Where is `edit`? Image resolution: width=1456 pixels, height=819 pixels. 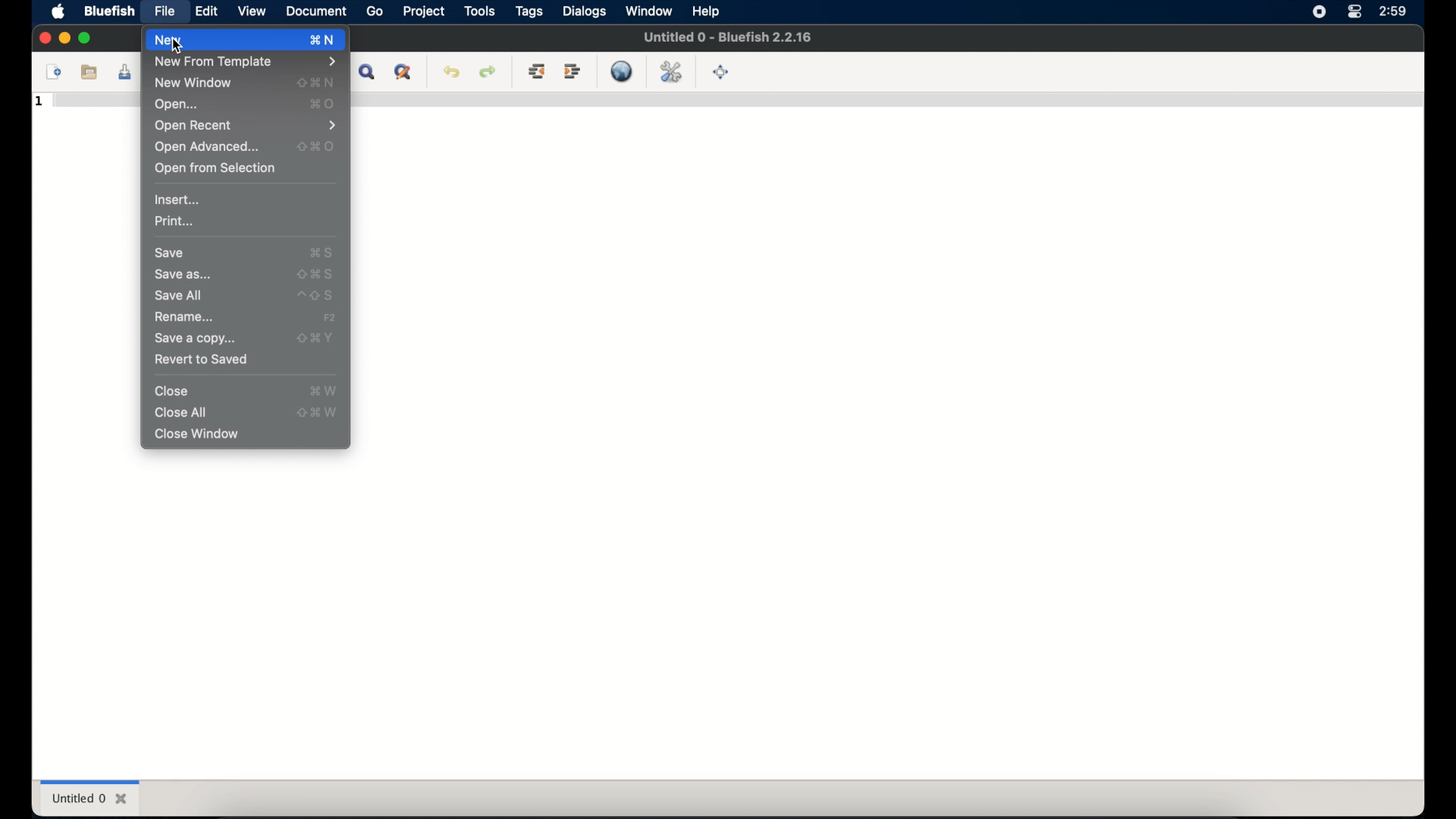
edit is located at coordinates (208, 11).